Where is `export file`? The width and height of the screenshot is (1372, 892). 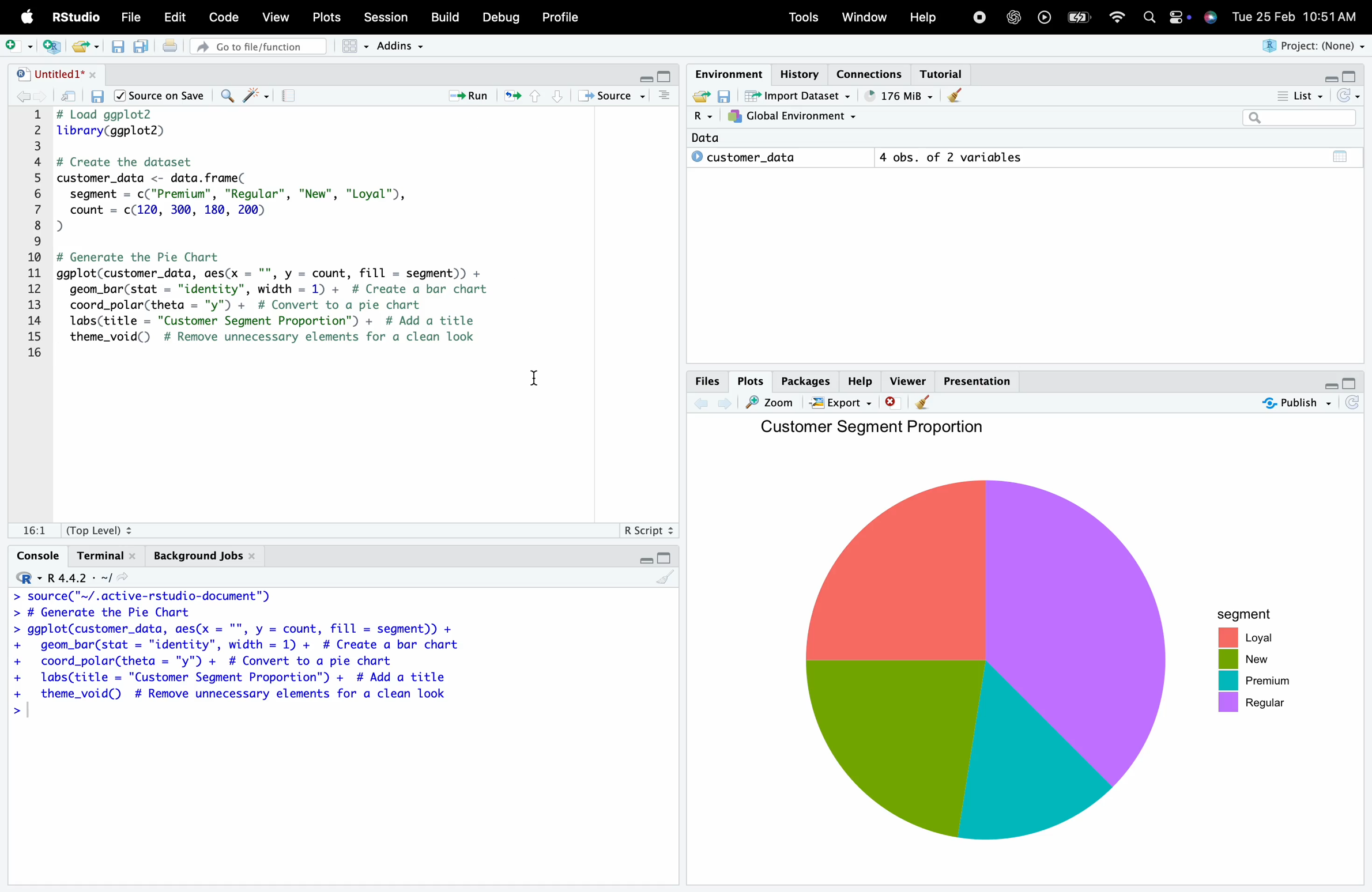
export file is located at coordinates (696, 97).